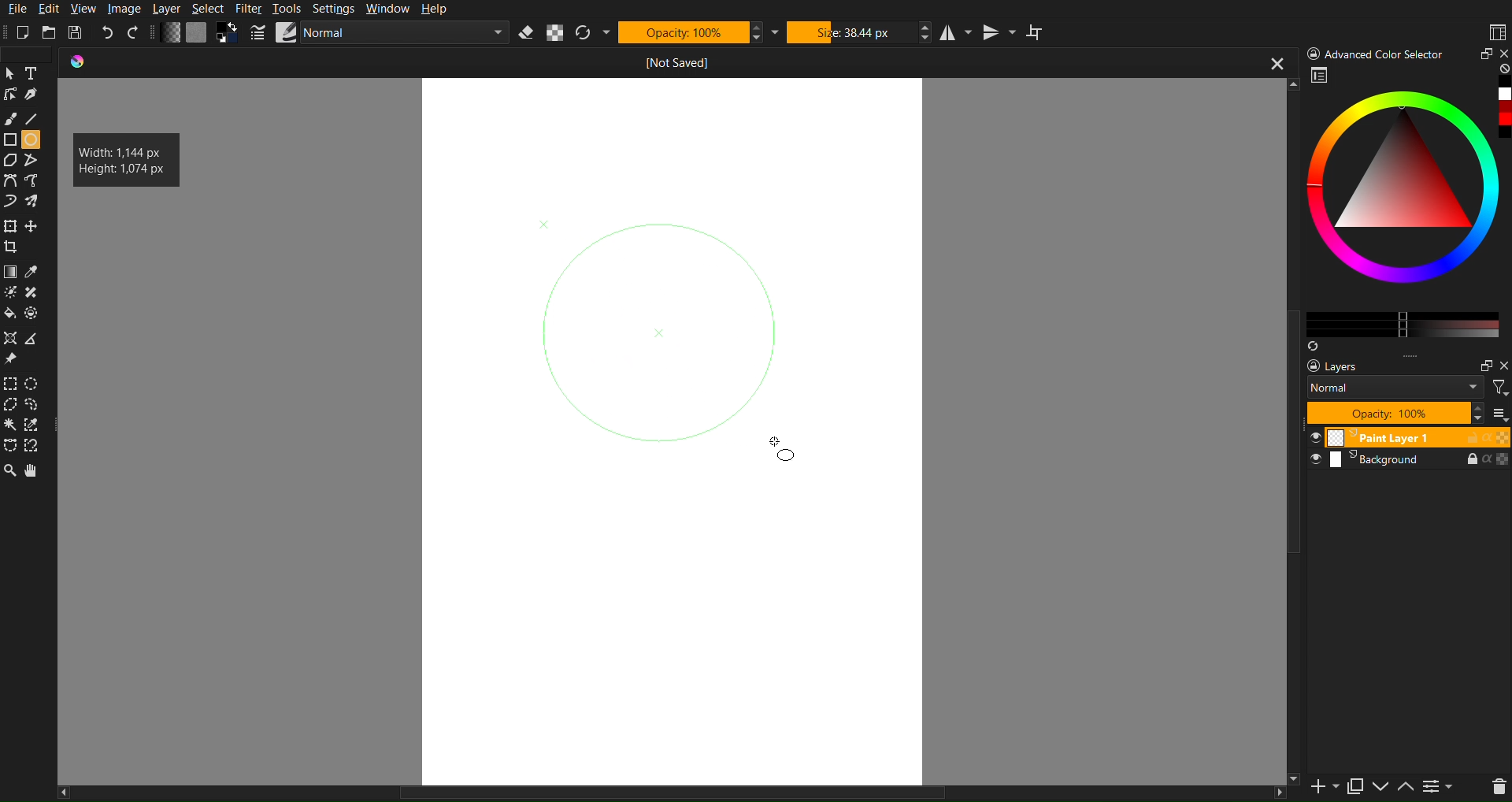  Describe the element at coordinates (30, 313) in the screenshot. I see `Shape` at that location.